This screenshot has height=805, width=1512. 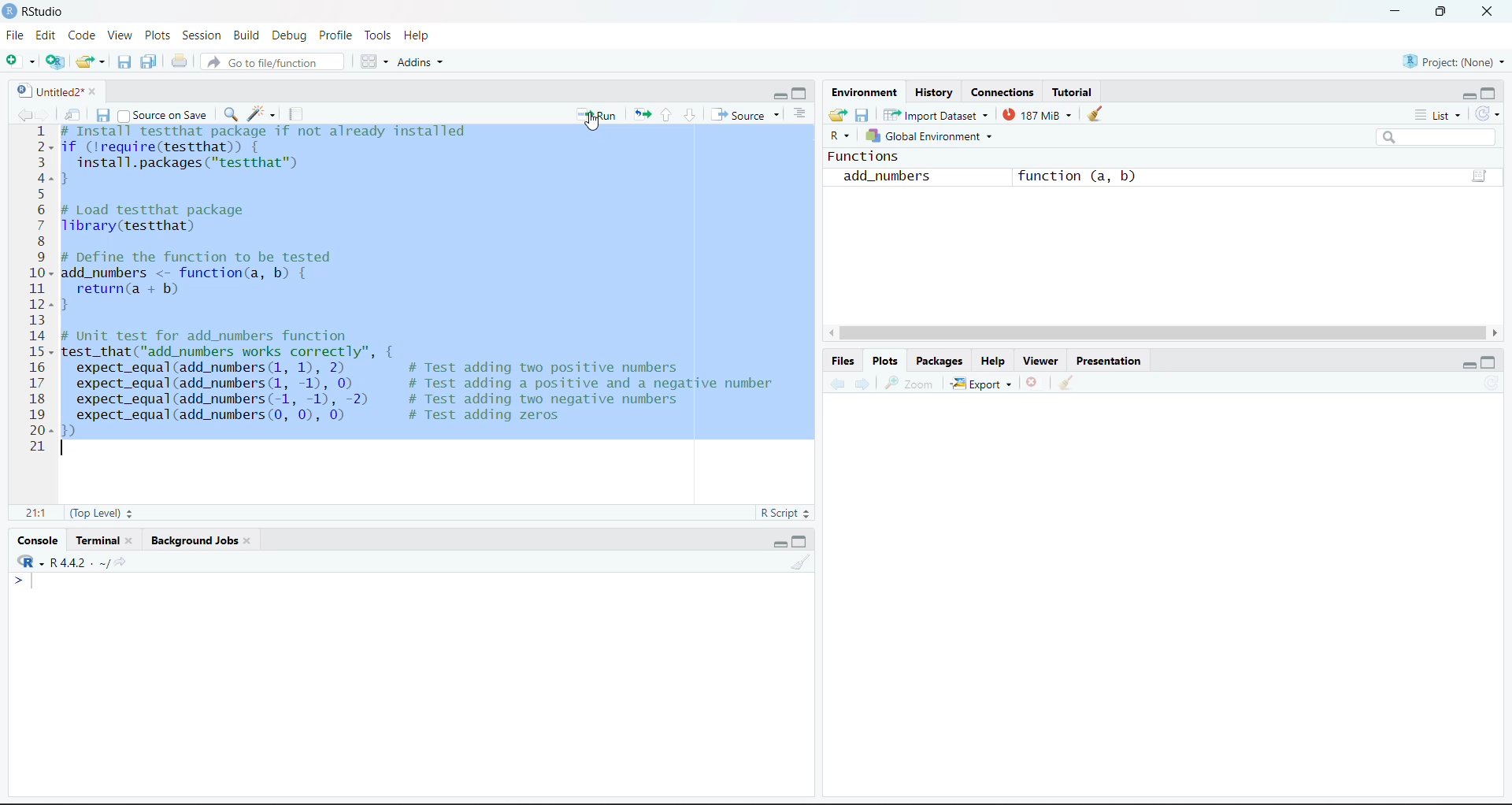 I want to click on compile report, so click(x=293, y=114).